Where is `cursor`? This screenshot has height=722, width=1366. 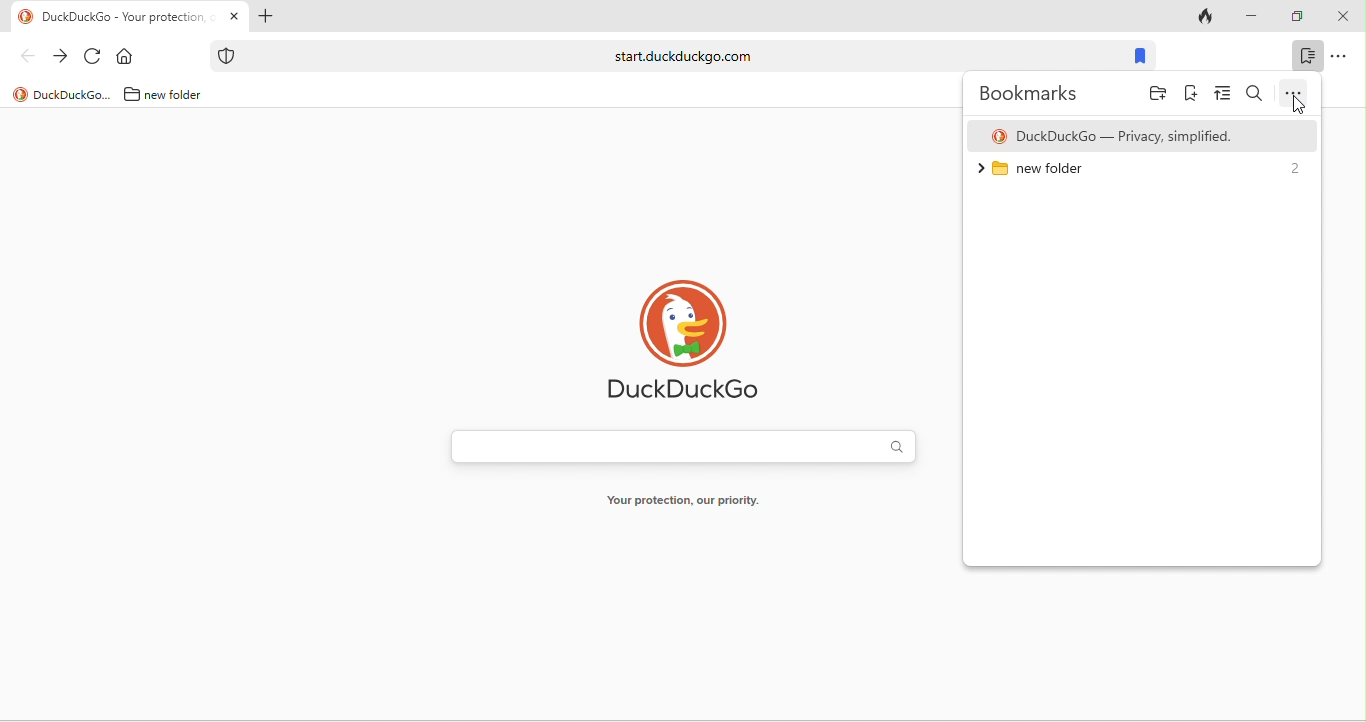
cursor is located at coordinates (1299, 109).